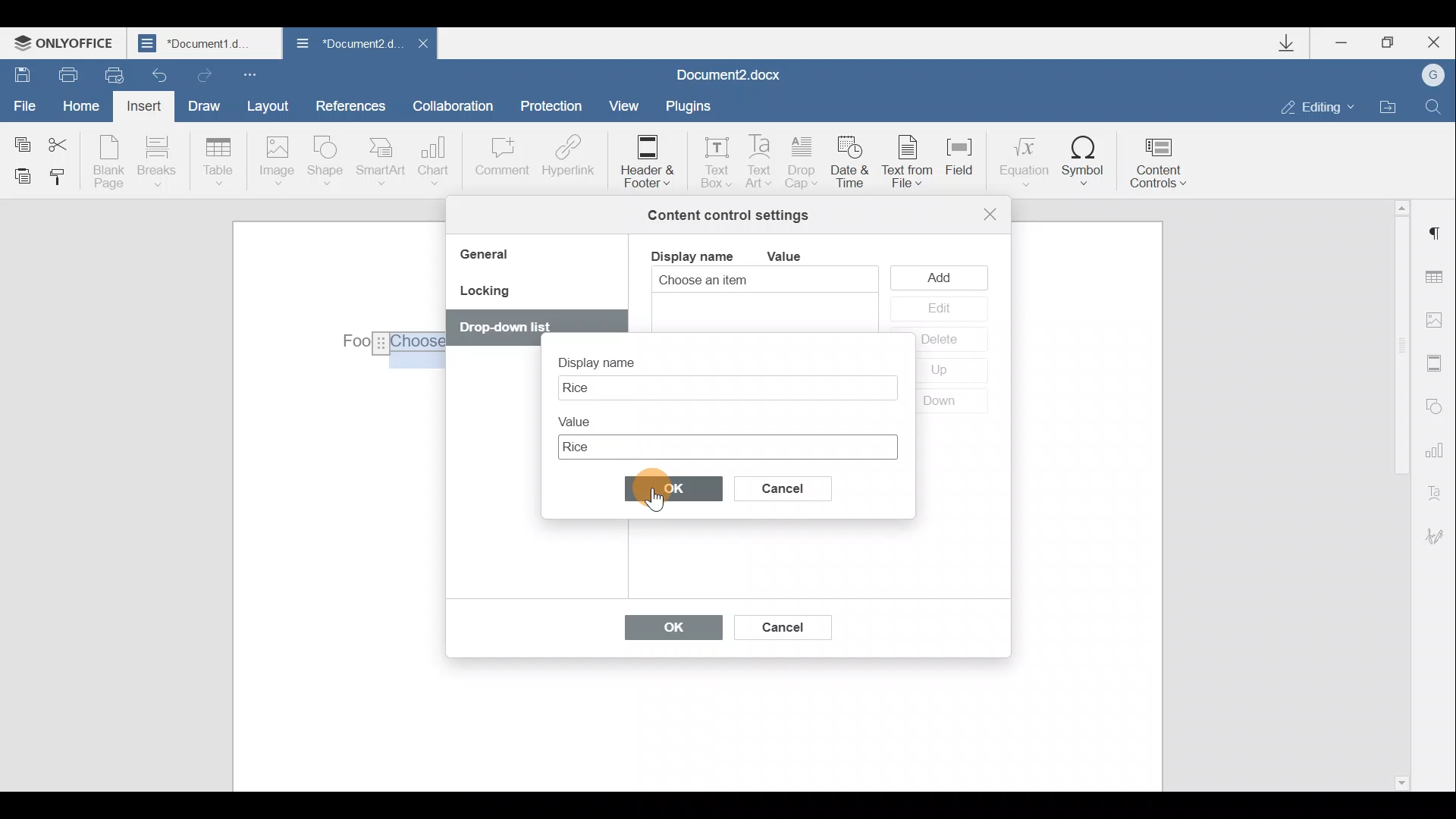 The height and width of the screenshot is (819, 1456). Describe the element at coordinates (108, 162) in the screenshot. I see `Blank page` at that location.